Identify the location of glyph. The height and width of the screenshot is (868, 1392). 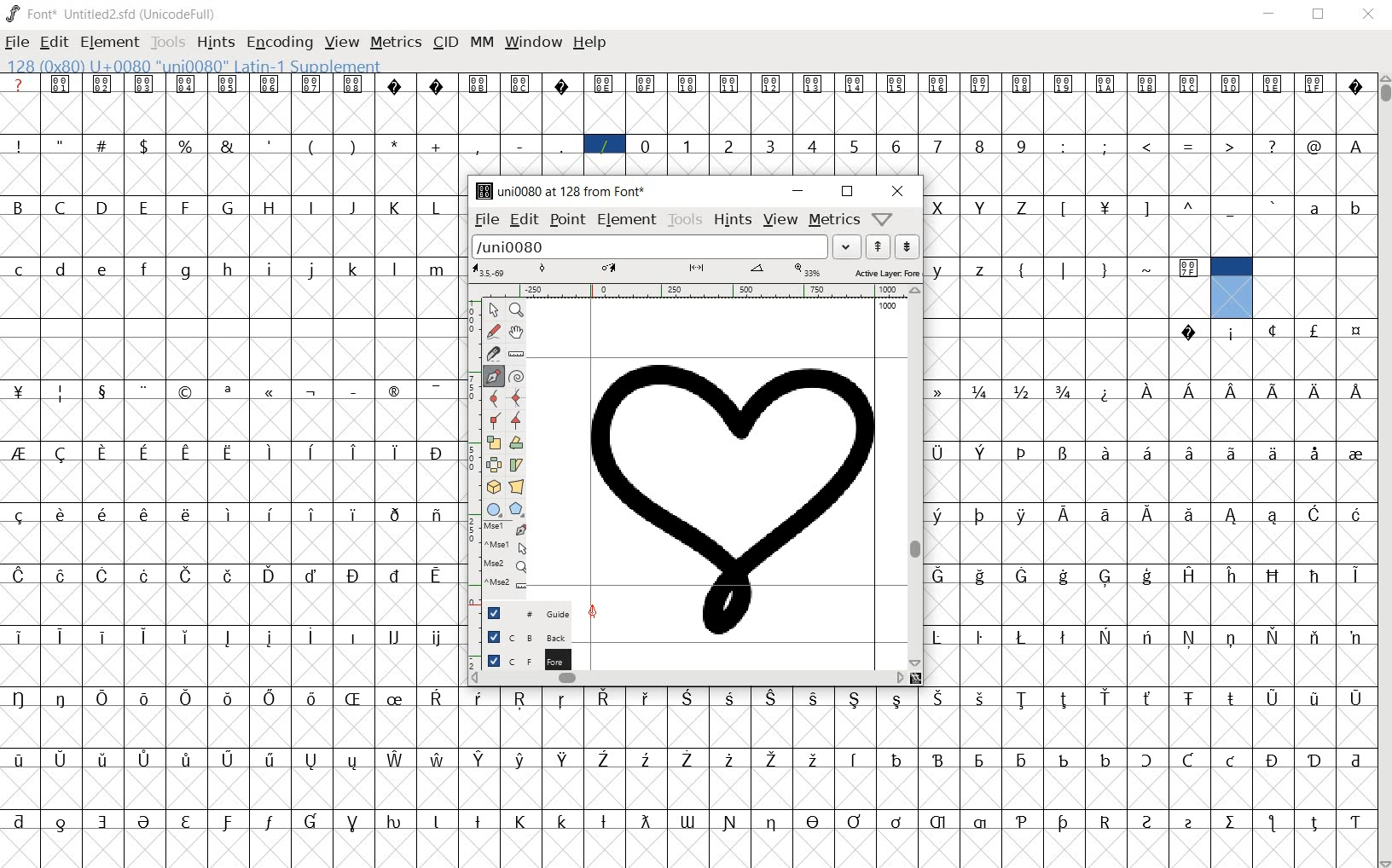
(1063, 700).